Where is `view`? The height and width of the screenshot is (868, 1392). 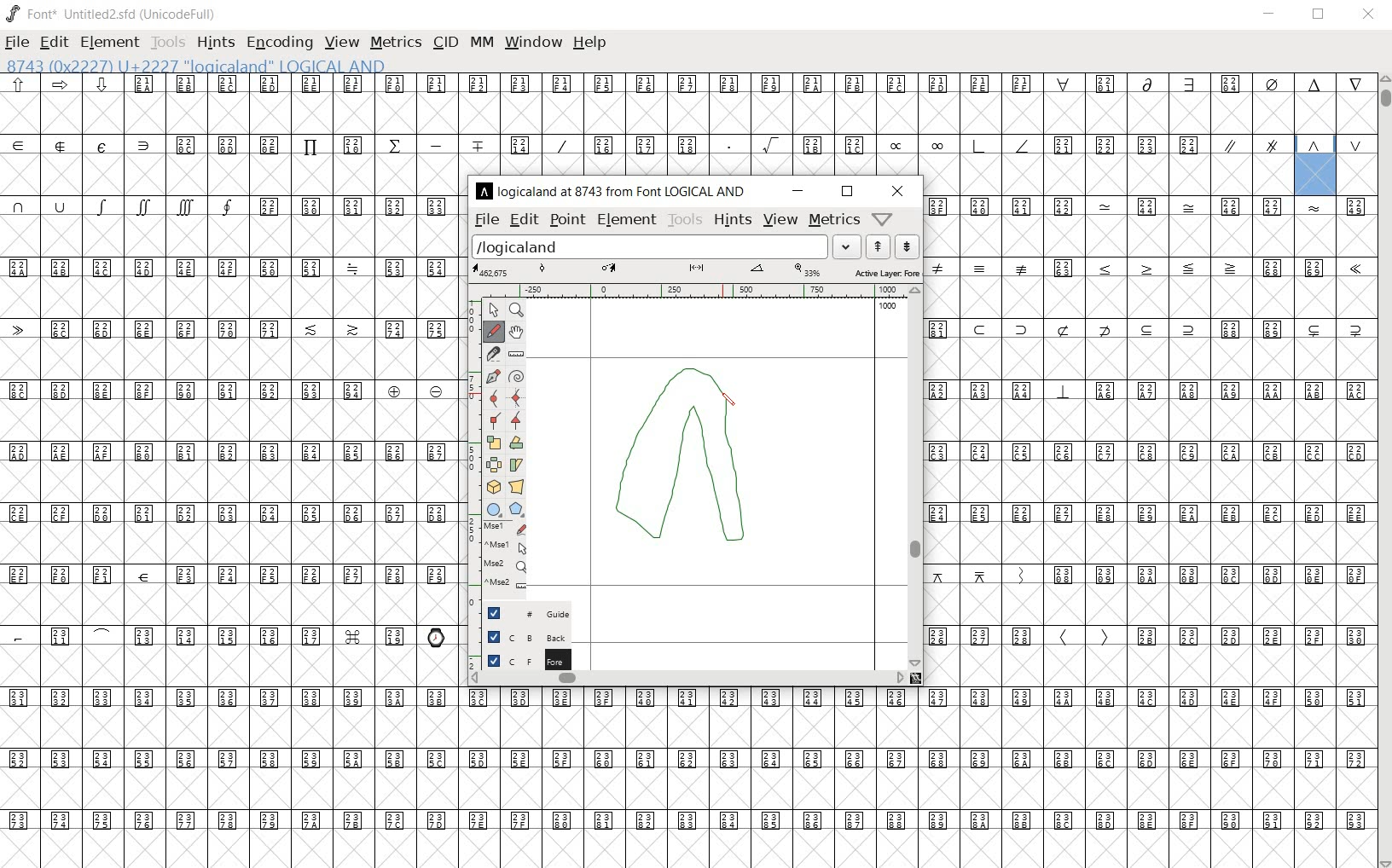
view is located at coordinates (780, 219).